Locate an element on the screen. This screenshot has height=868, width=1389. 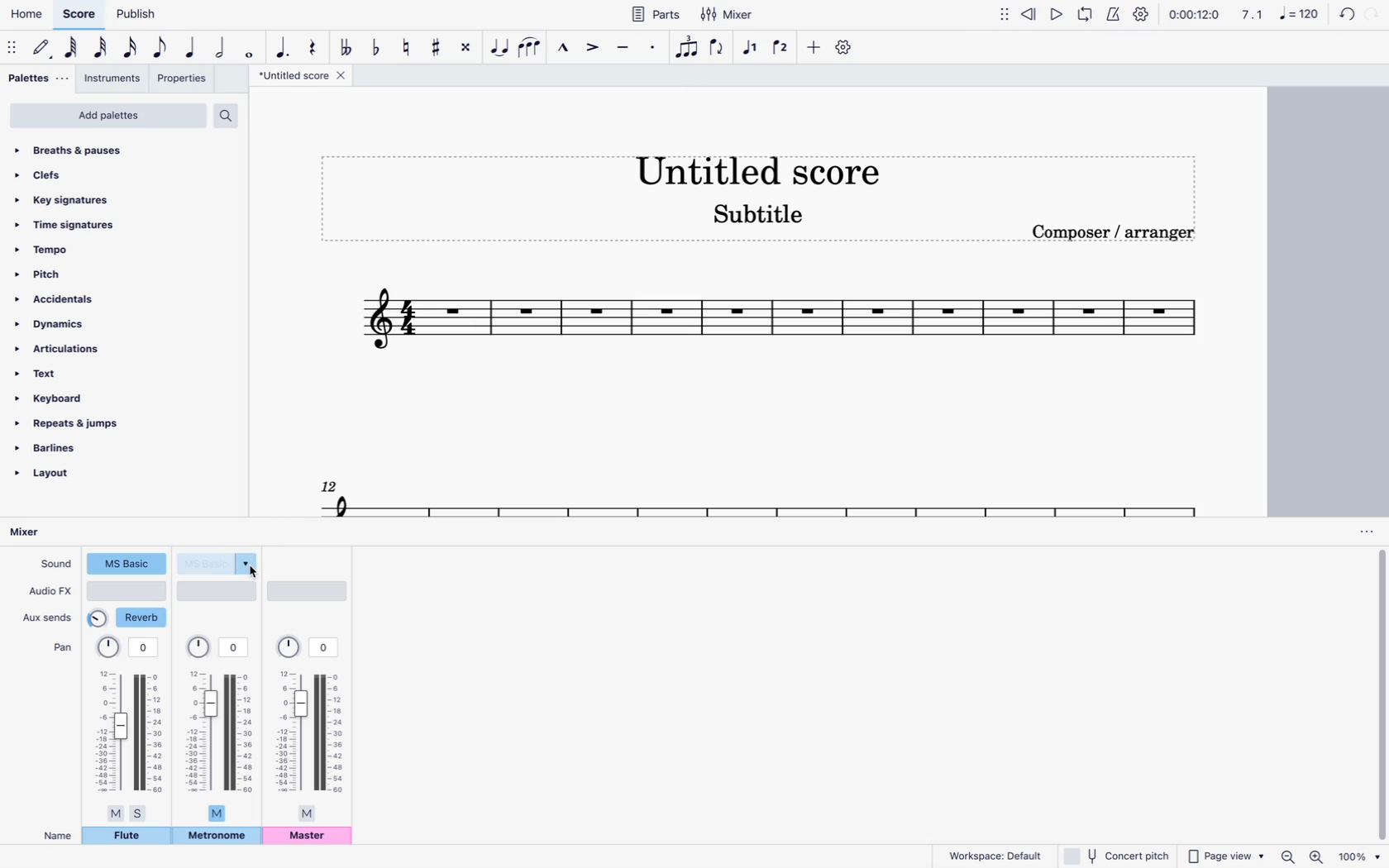
time is located at coordinates (1194, 16).